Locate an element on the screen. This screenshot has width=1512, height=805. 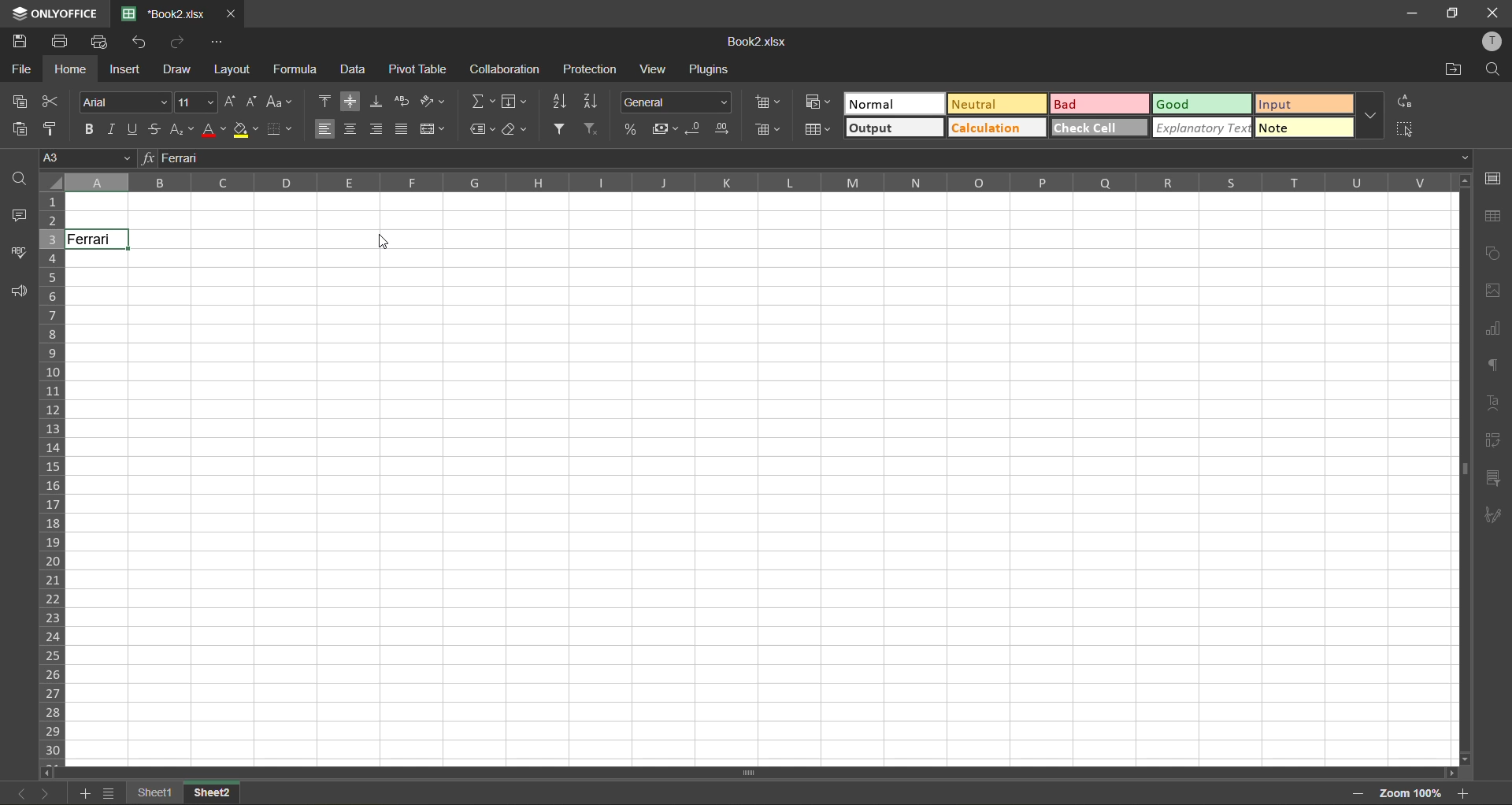
align bottom is located at coordinates (375, 102).